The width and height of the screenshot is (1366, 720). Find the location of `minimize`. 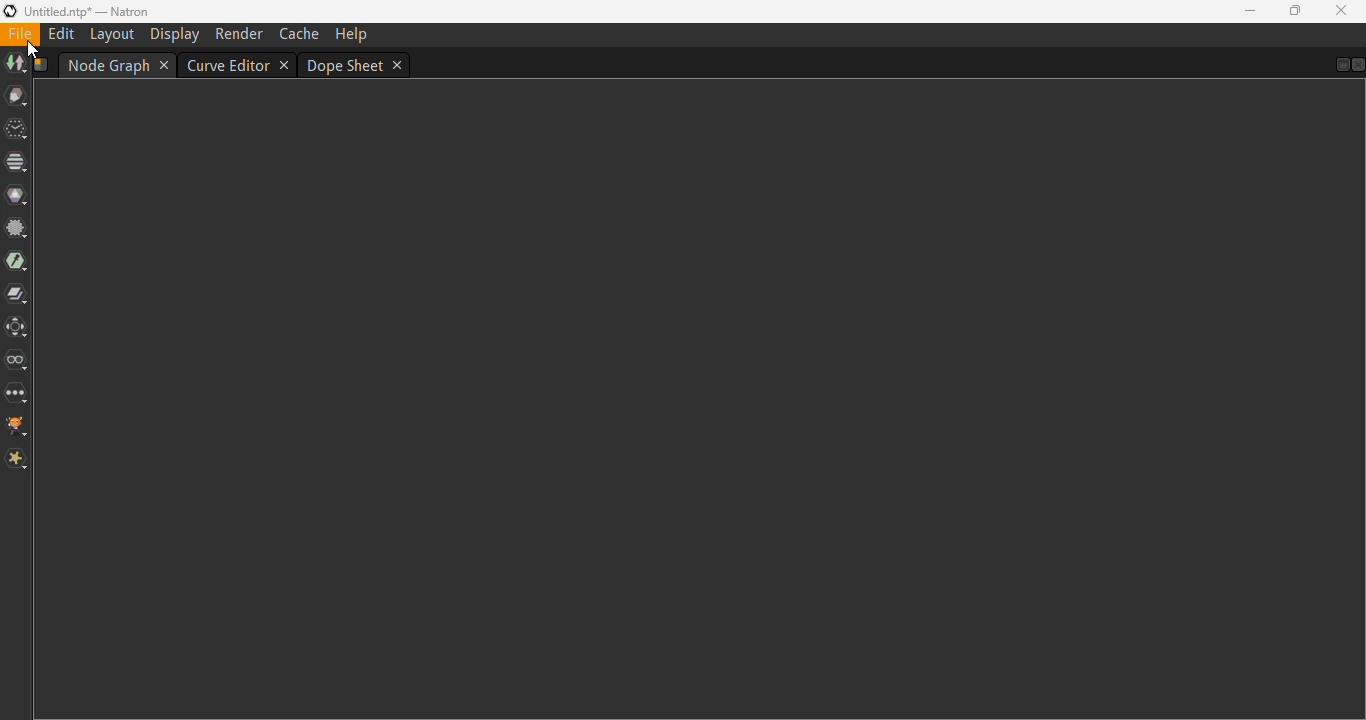

minimize is located at coordinates (1250, 11).